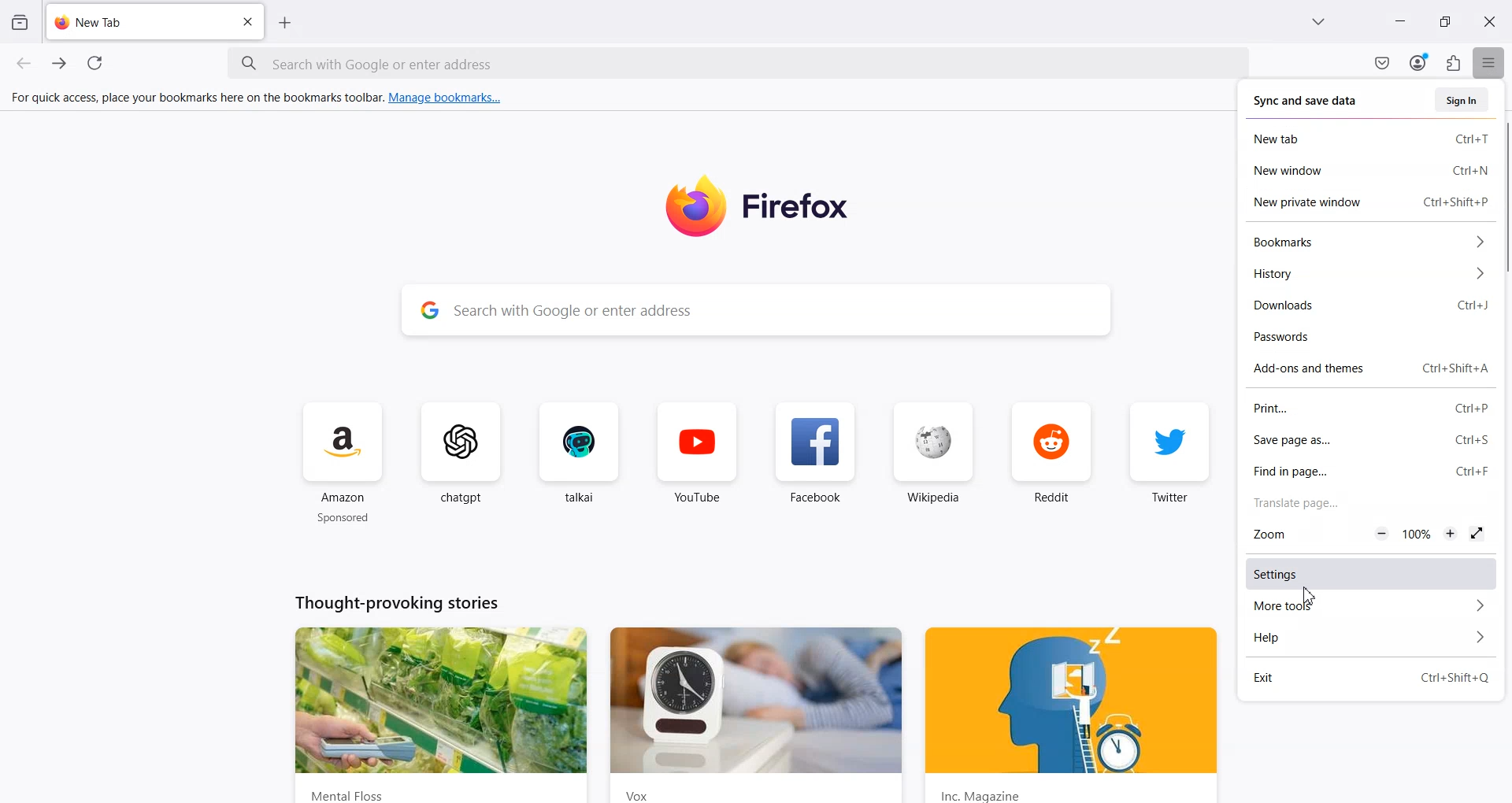 The height and width of the screenshot is (803, 1512). Describe the element at coordinates (1374, 304) in the screenshot. I see `Downloads Ctrl+)` at that location.